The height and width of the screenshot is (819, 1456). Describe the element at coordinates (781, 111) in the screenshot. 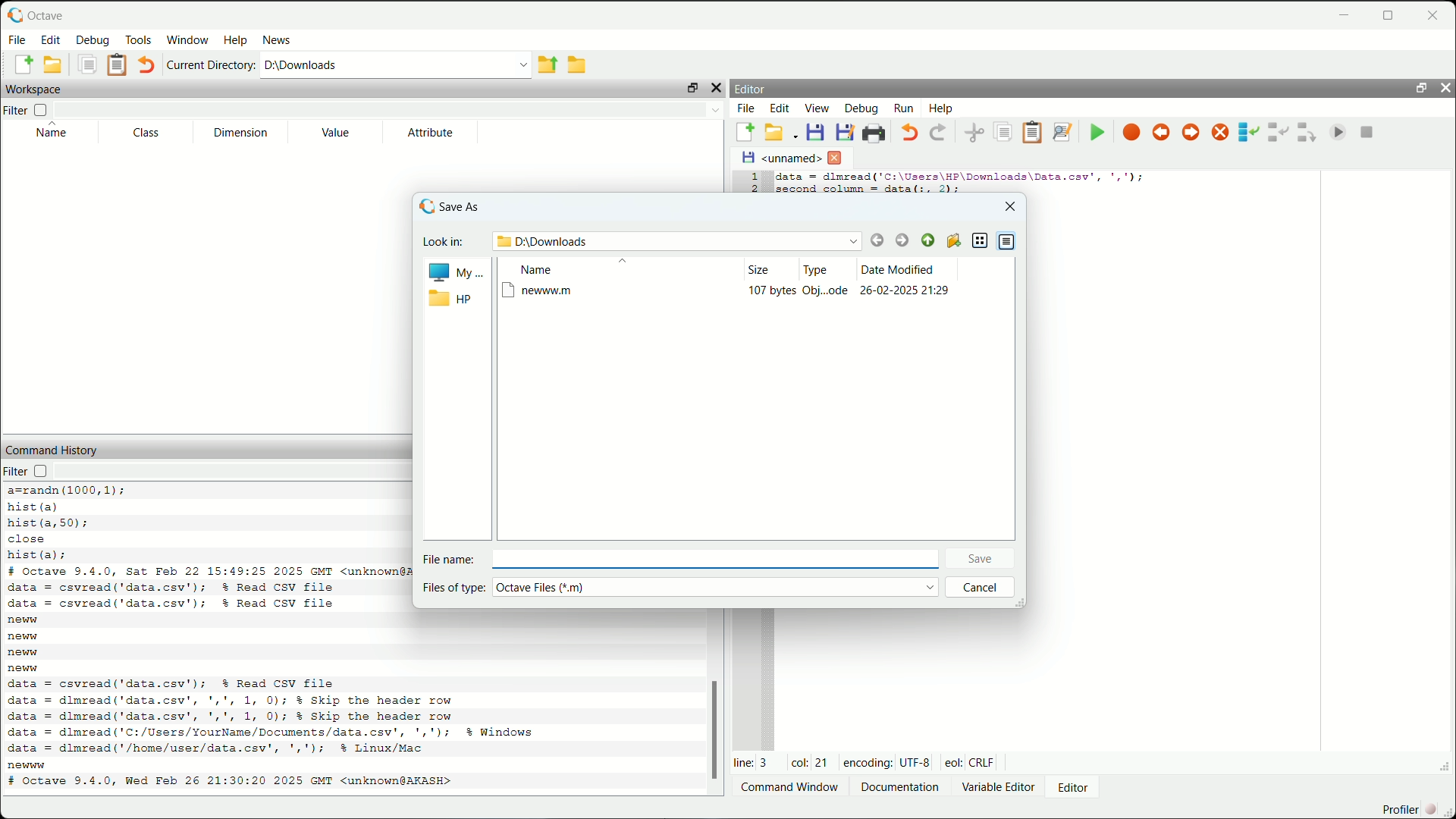

I see `edit` at that location.